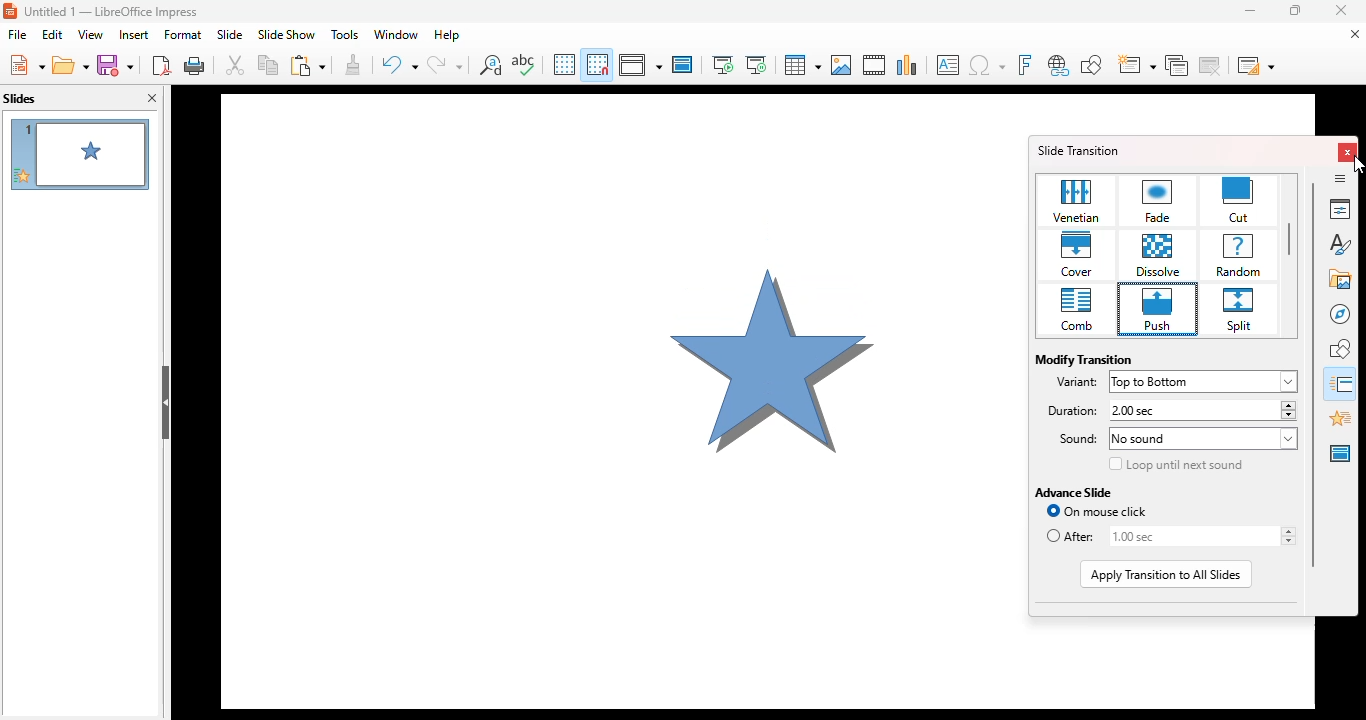 The height and width of the screenshot is (720, 1366). Describe the element at coordinates (614, 392) in the screenshot. I see `slide 1` at that location.